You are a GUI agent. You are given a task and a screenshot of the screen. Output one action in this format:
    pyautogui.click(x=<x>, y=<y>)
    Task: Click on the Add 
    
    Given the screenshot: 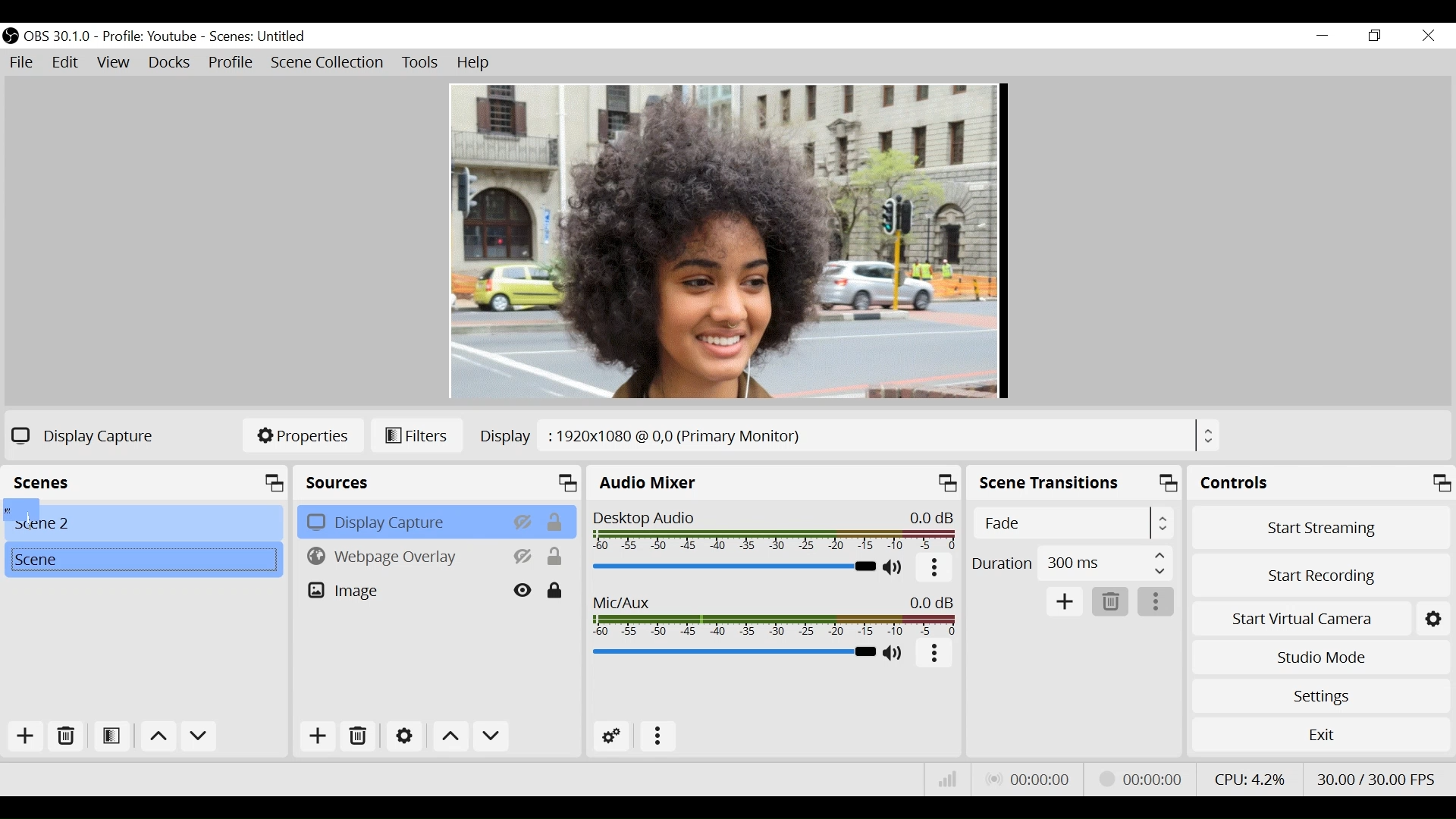 What is the action you would take?
    pyautogui.click(x=1064, y=600)
    